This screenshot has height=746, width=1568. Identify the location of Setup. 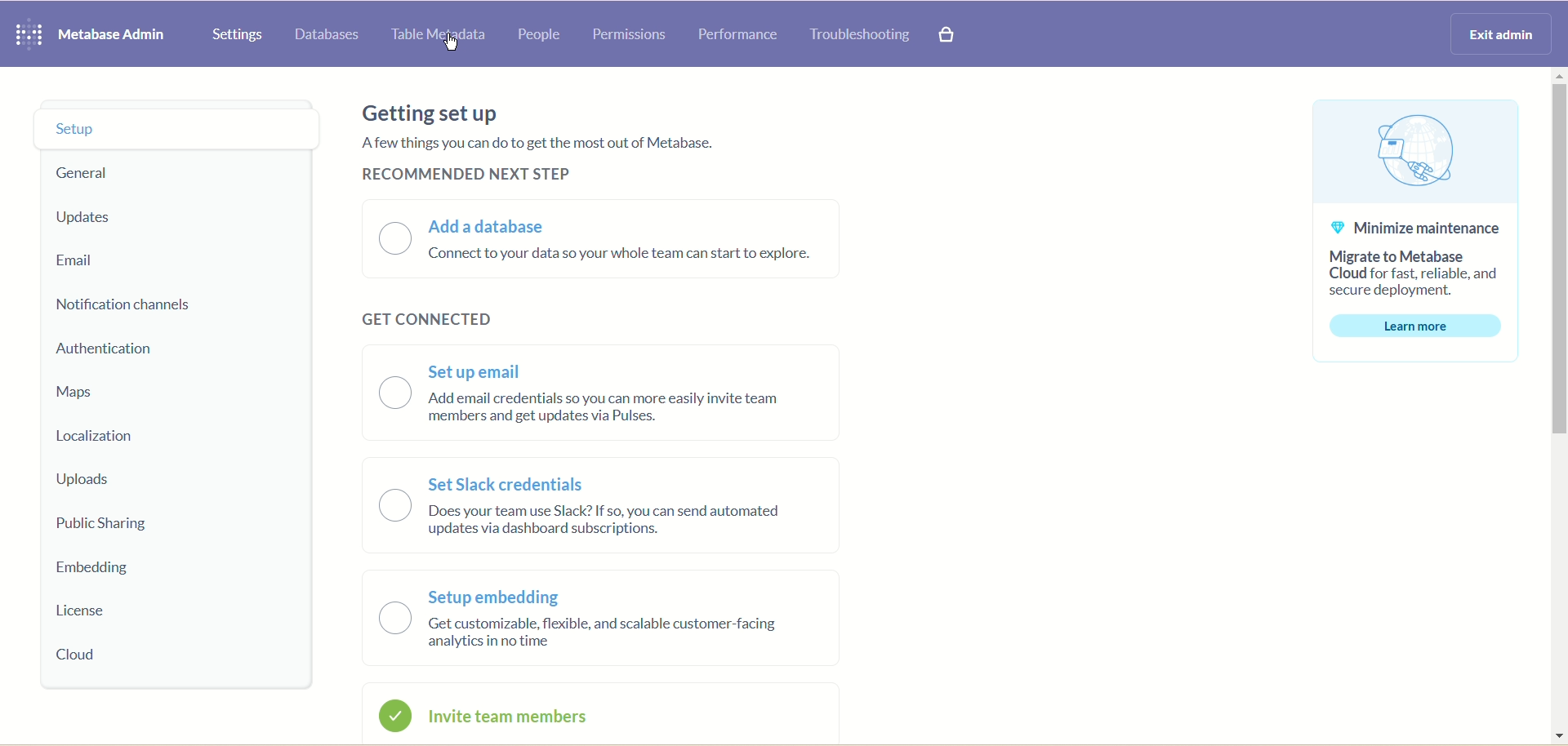
(166, 127).